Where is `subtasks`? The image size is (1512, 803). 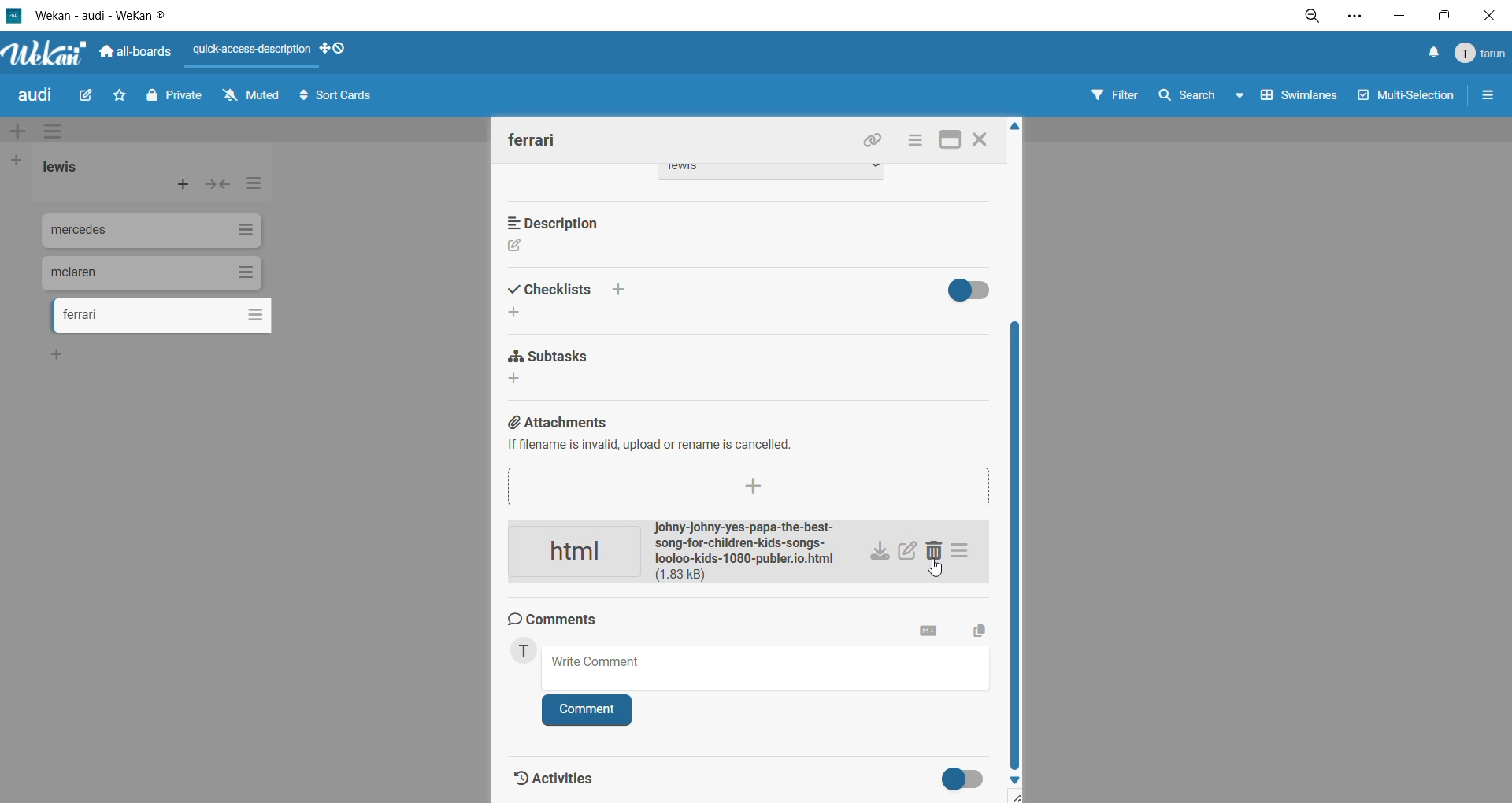
subtasks is located at coordinates (552, 357).